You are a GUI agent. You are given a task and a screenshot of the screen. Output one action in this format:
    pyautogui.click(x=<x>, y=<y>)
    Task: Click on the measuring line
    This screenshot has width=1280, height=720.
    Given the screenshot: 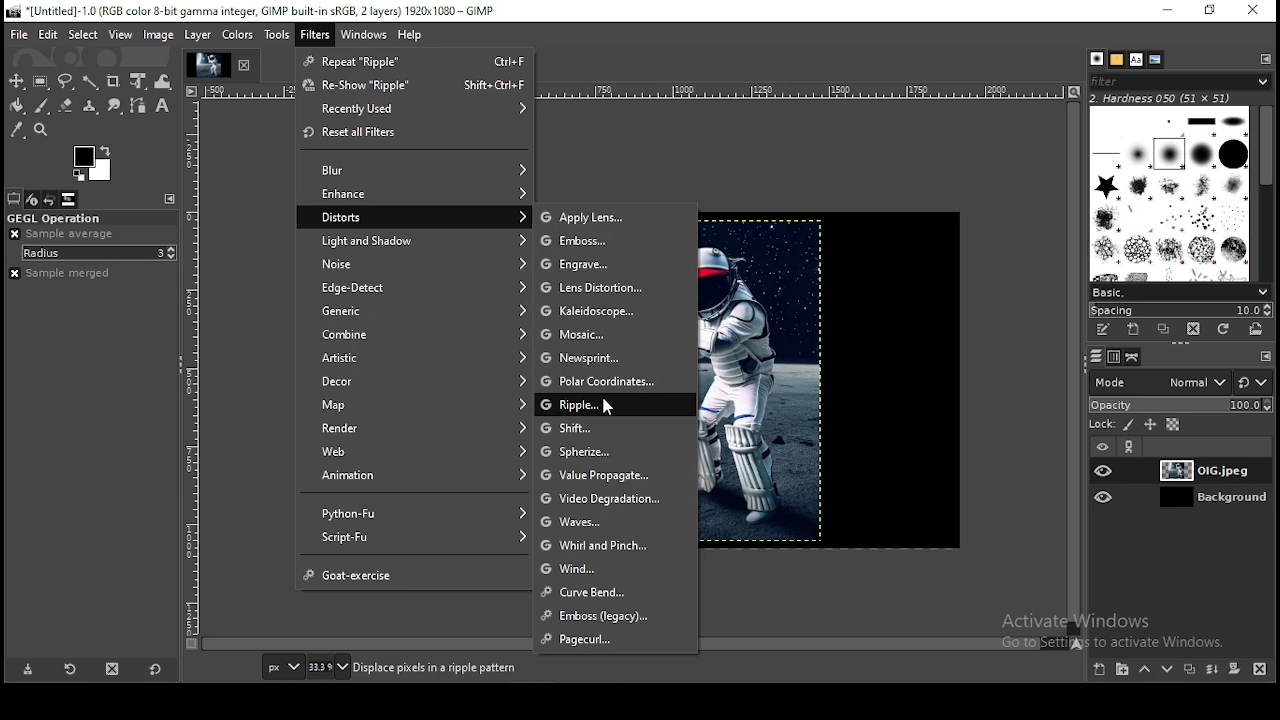 What is the action you would take?
    pyautogui.click(x=810, y=91)
    